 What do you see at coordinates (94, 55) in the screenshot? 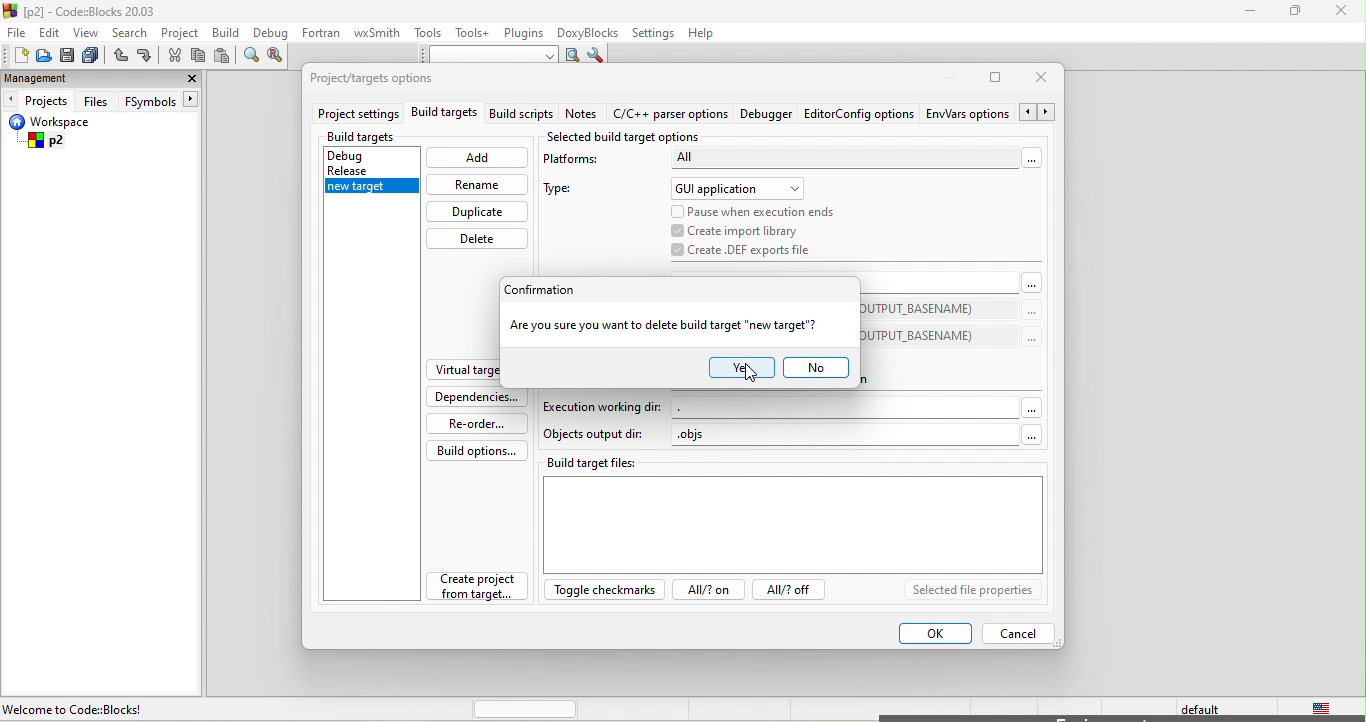
I see `save everything` at bounding box center [94, 55].